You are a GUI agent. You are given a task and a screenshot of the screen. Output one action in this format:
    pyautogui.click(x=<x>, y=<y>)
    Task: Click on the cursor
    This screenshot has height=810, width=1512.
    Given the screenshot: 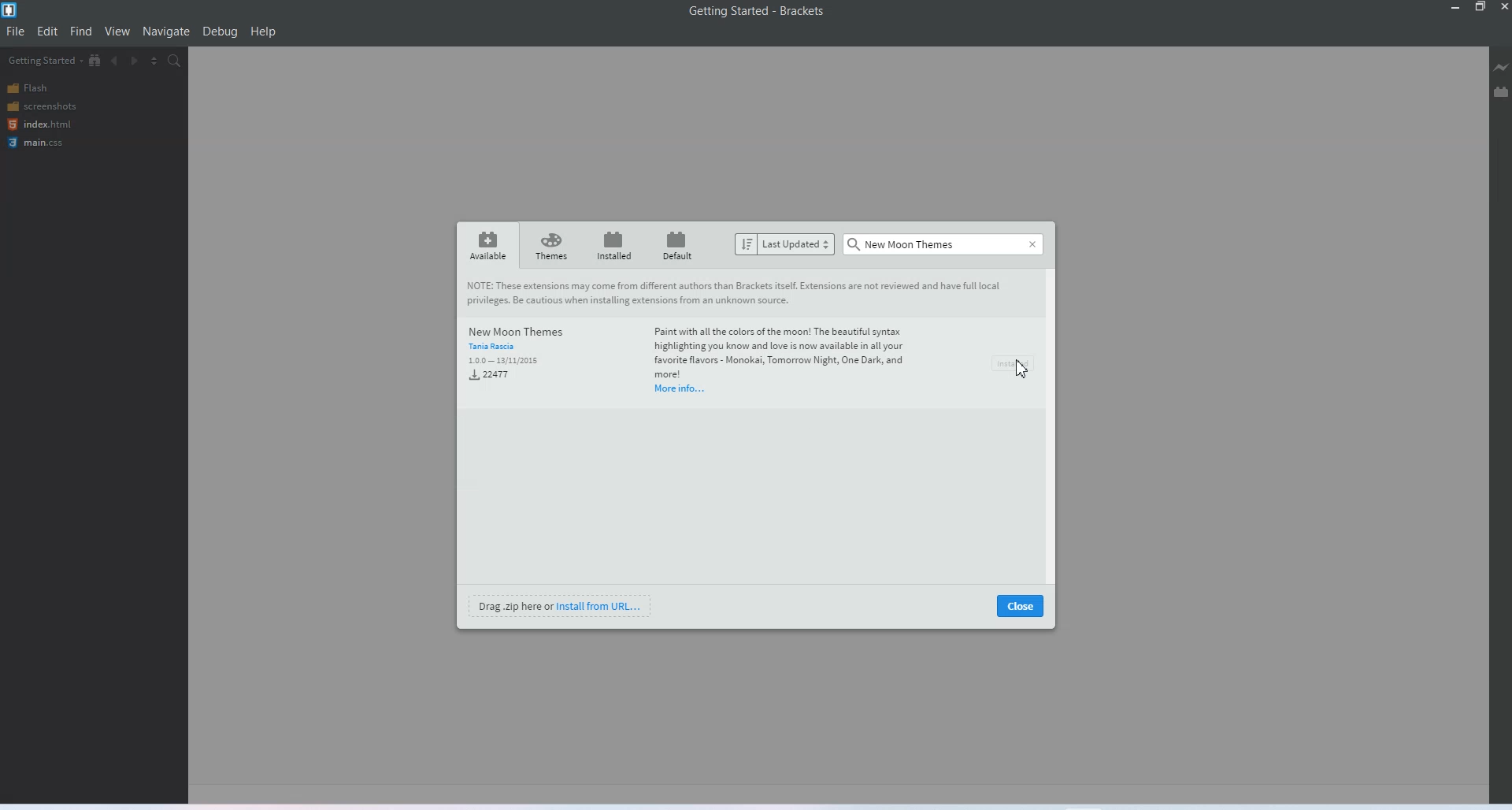 What is the action you would take?
    pyautogui.click(x=1021, y=368)
    